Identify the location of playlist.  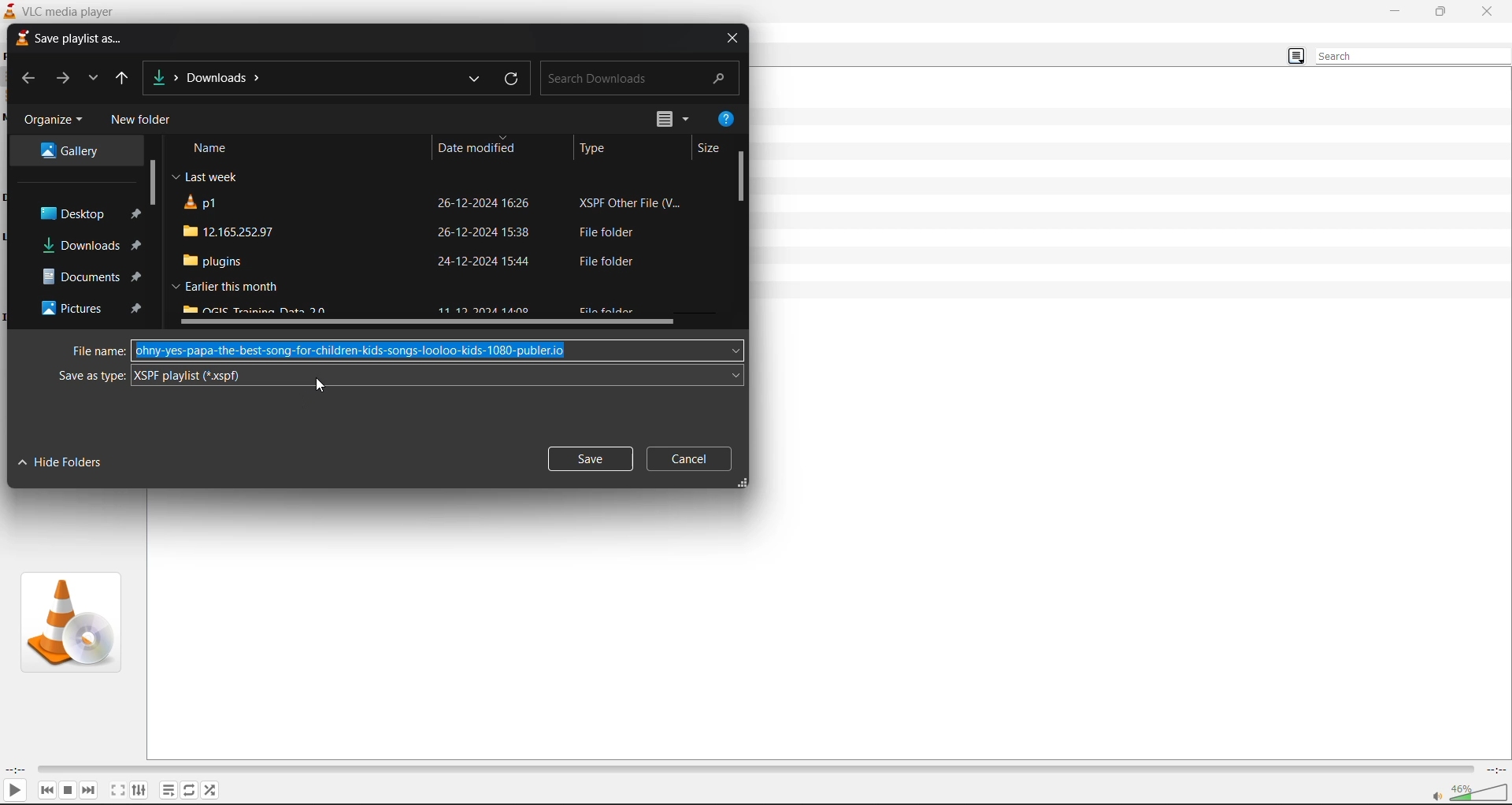
(165, 790).